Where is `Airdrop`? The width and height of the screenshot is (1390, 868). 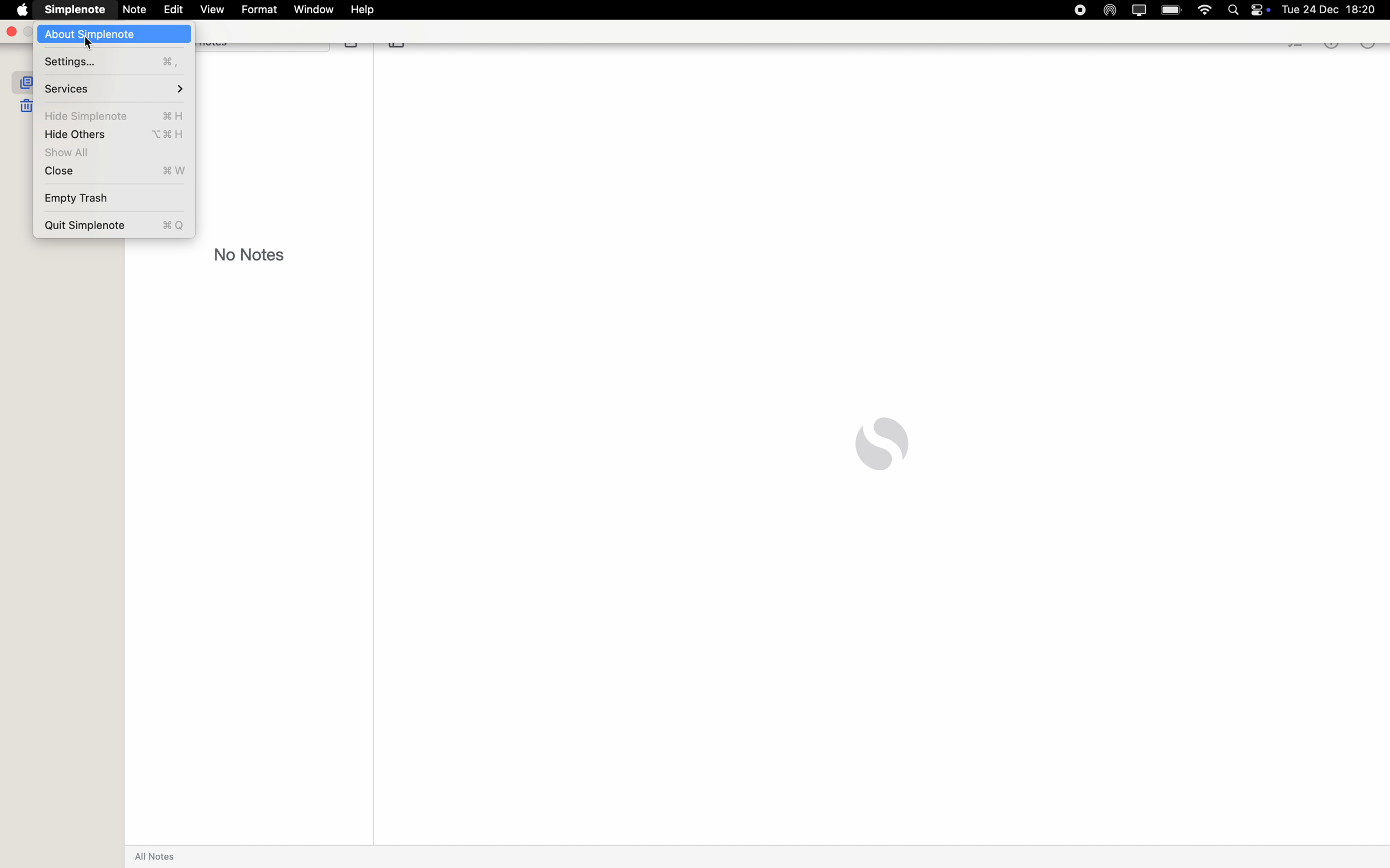
Airdrop is located at coordinates (1107, 9).